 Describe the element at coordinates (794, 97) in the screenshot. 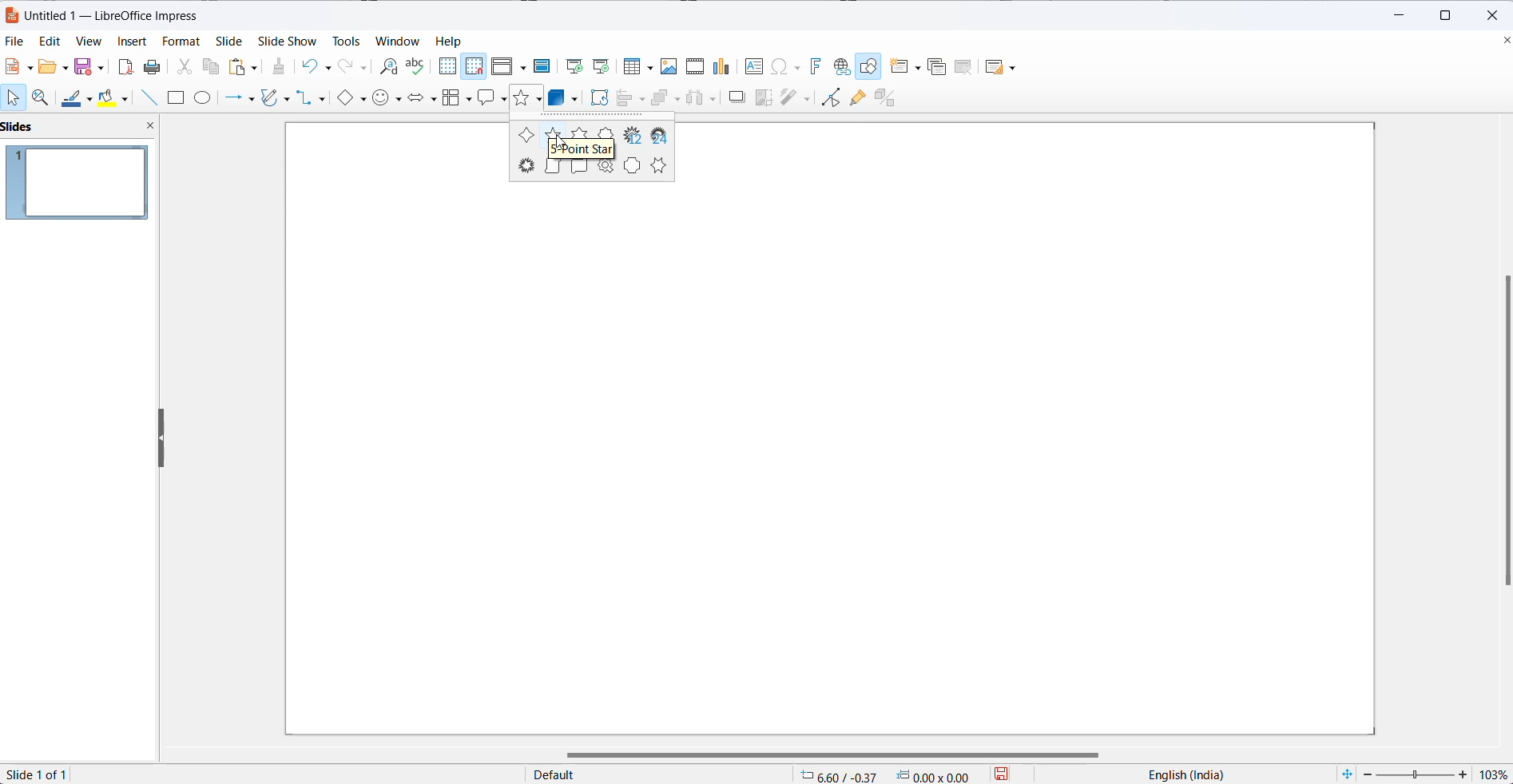

I see `filters` at that location.